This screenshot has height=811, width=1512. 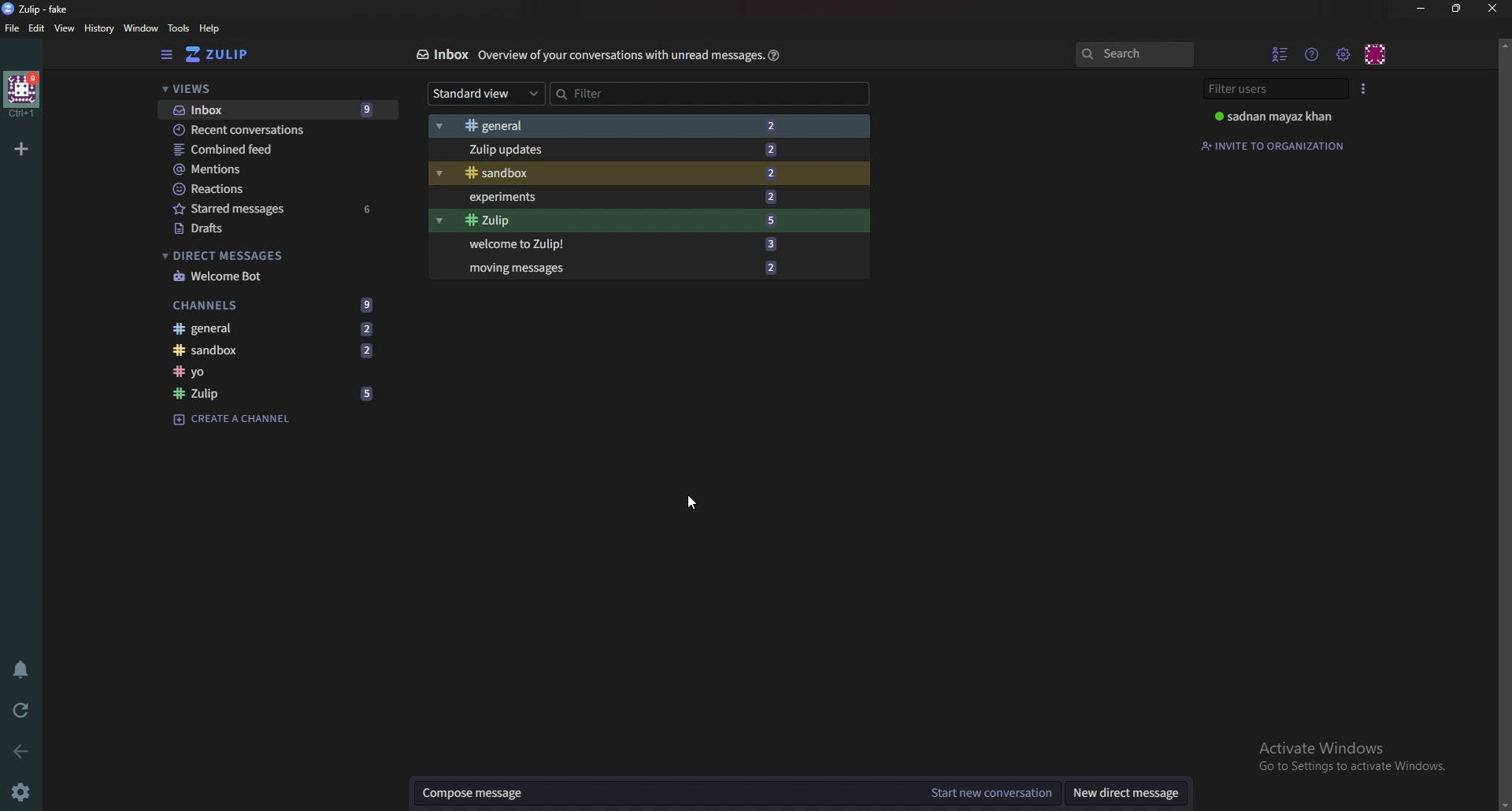 I want to click on Enable do not disturb, so click(x=21, y=668).